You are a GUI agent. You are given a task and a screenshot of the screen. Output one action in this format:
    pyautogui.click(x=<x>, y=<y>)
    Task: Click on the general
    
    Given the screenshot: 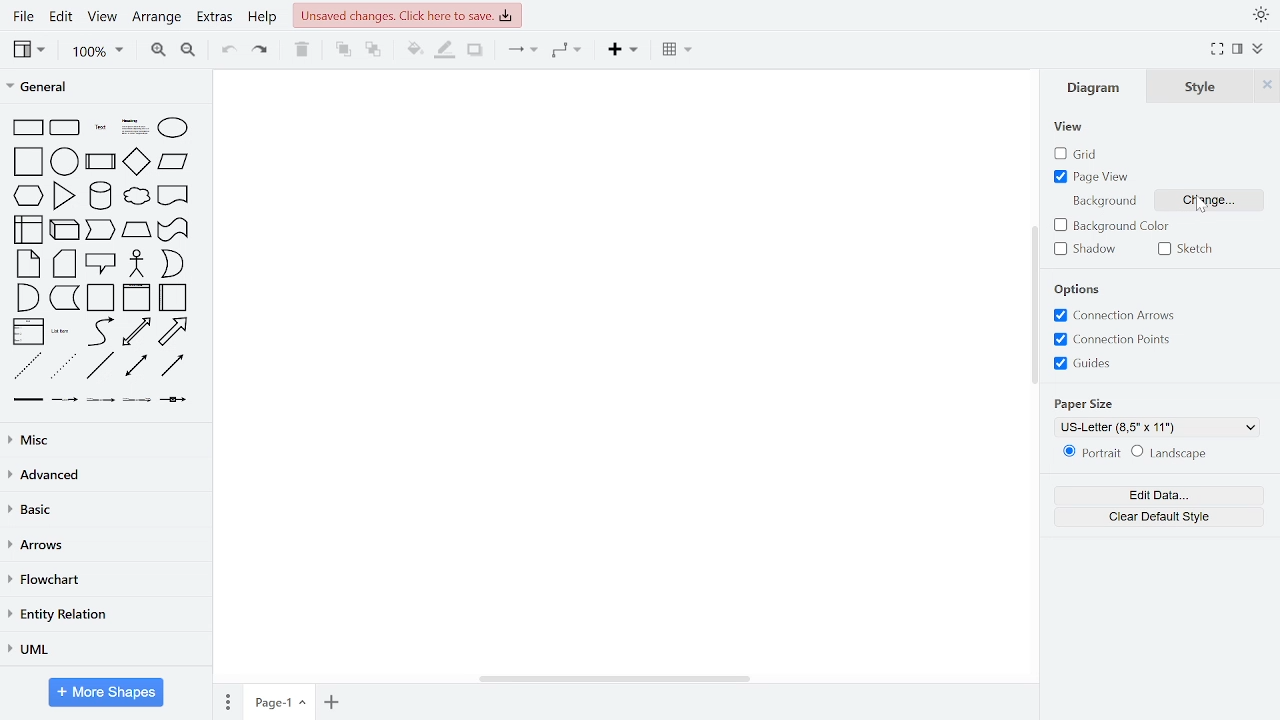 What is the action you would take?
    pyautogui.click(x=98, y=89)
    